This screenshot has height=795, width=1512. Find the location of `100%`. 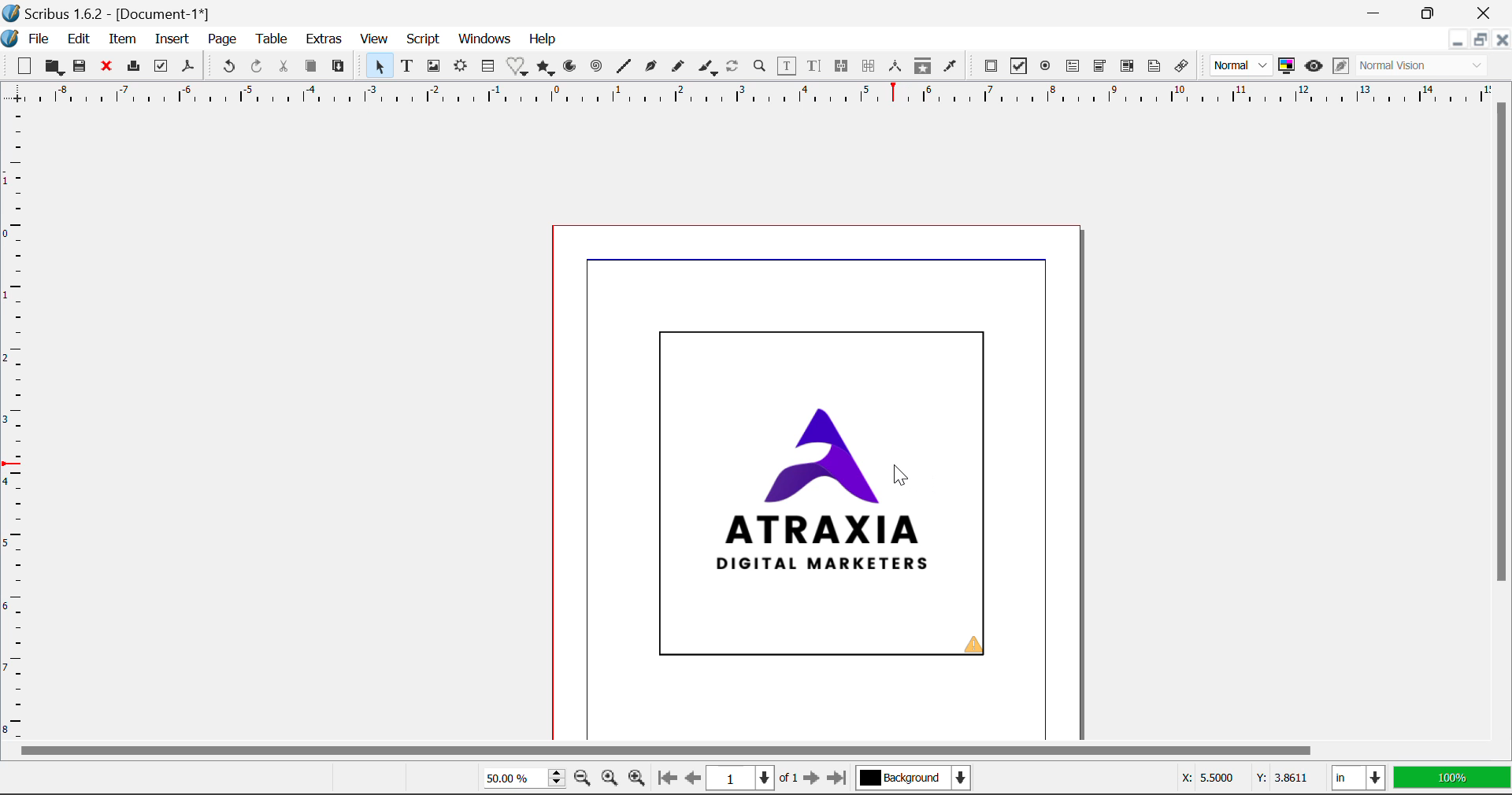

100% is located at coordinates (1454, 778).